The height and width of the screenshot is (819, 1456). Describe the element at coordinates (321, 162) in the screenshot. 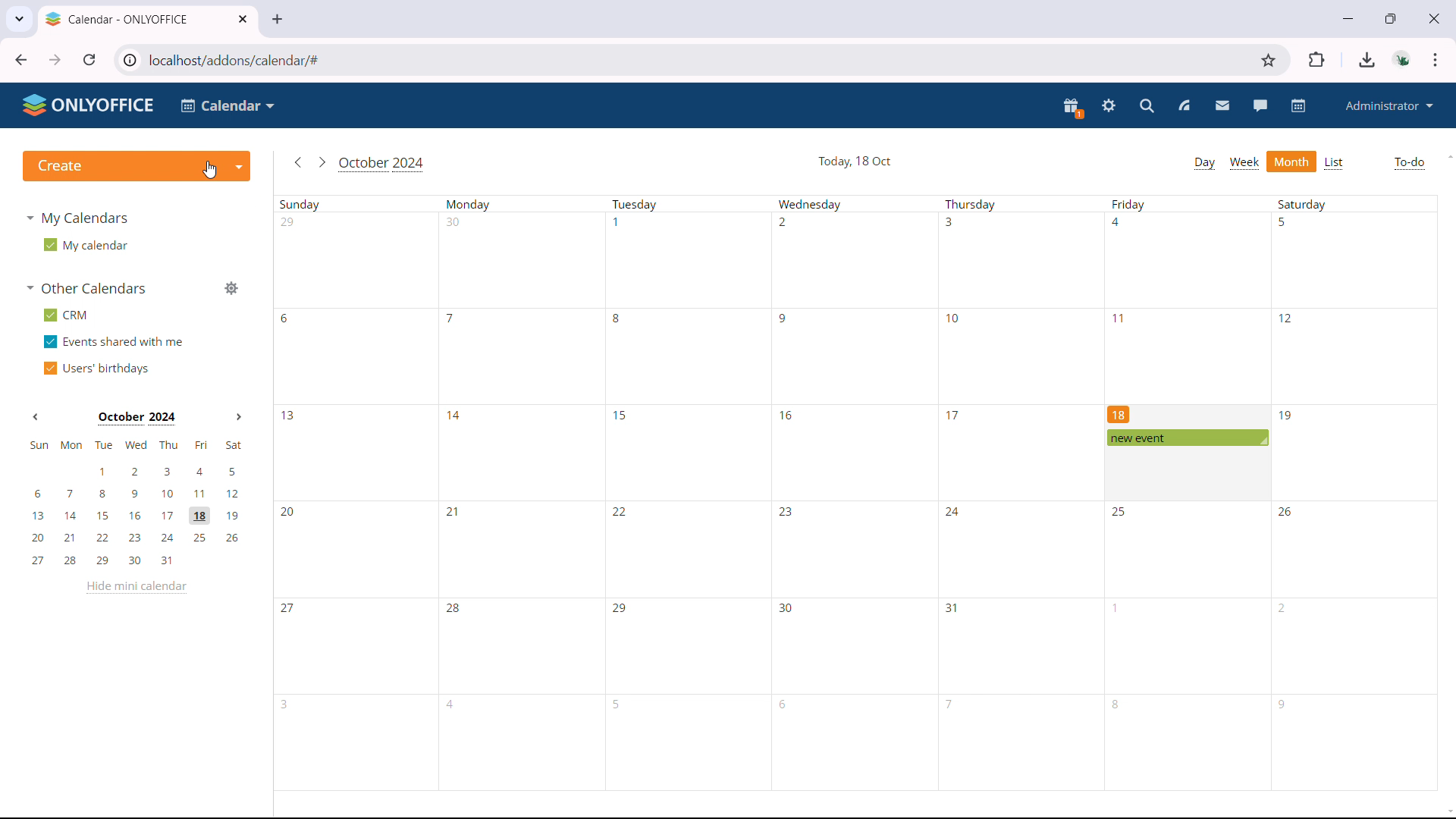

I see `go to next month` at that location.